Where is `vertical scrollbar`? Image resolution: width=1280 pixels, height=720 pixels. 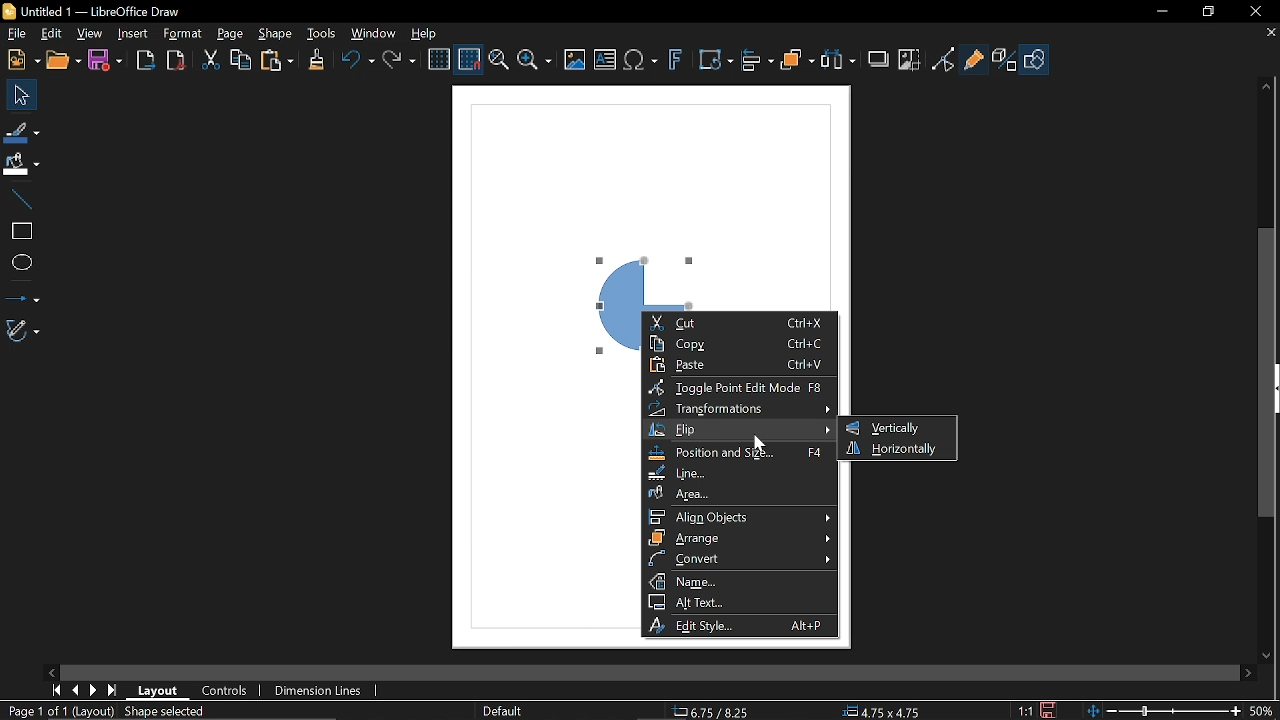 vertical scrollbar is located at coordinates (1268, 374).